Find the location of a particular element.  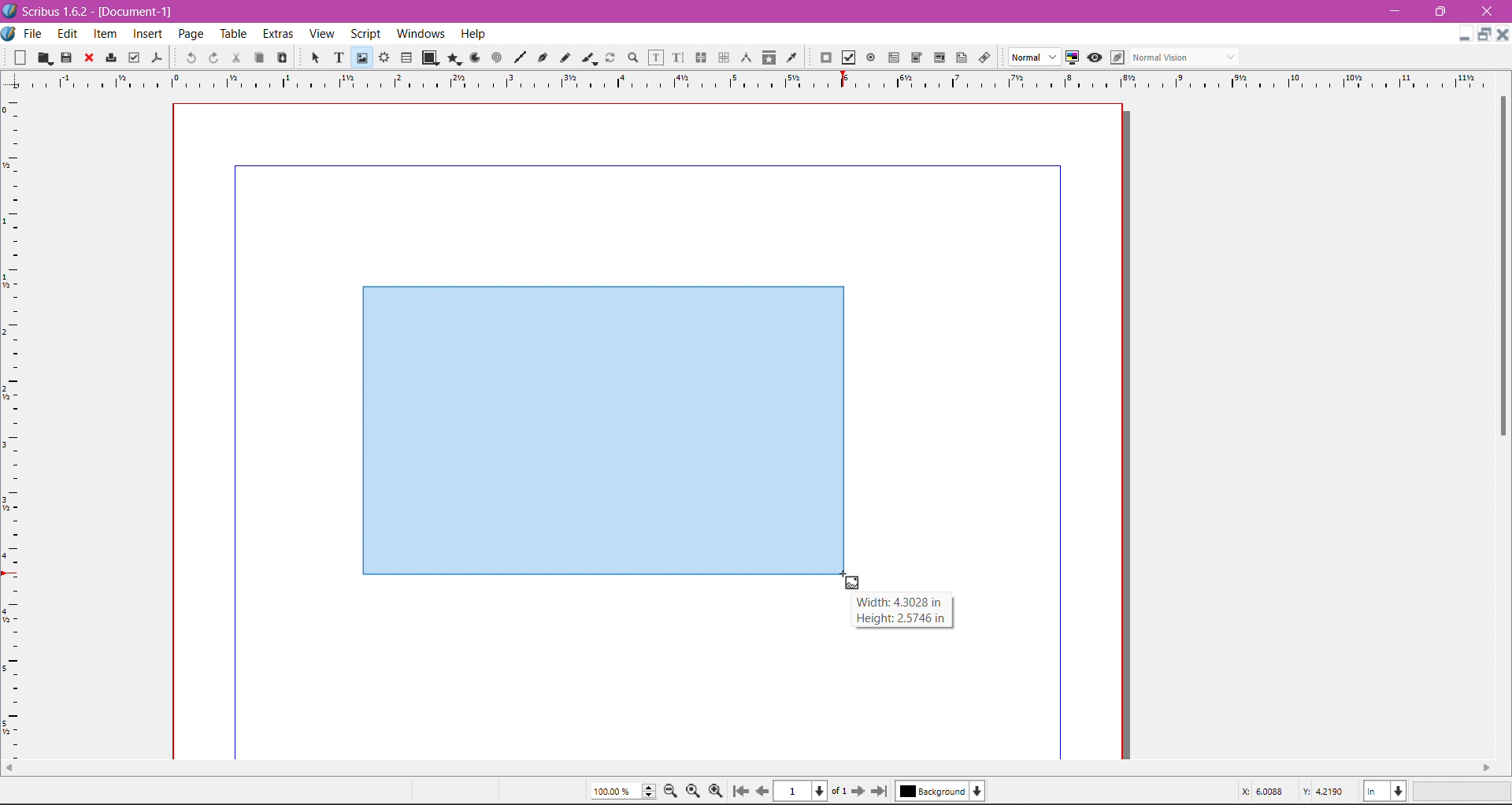

Select Item is located at coordinates (316, 57).